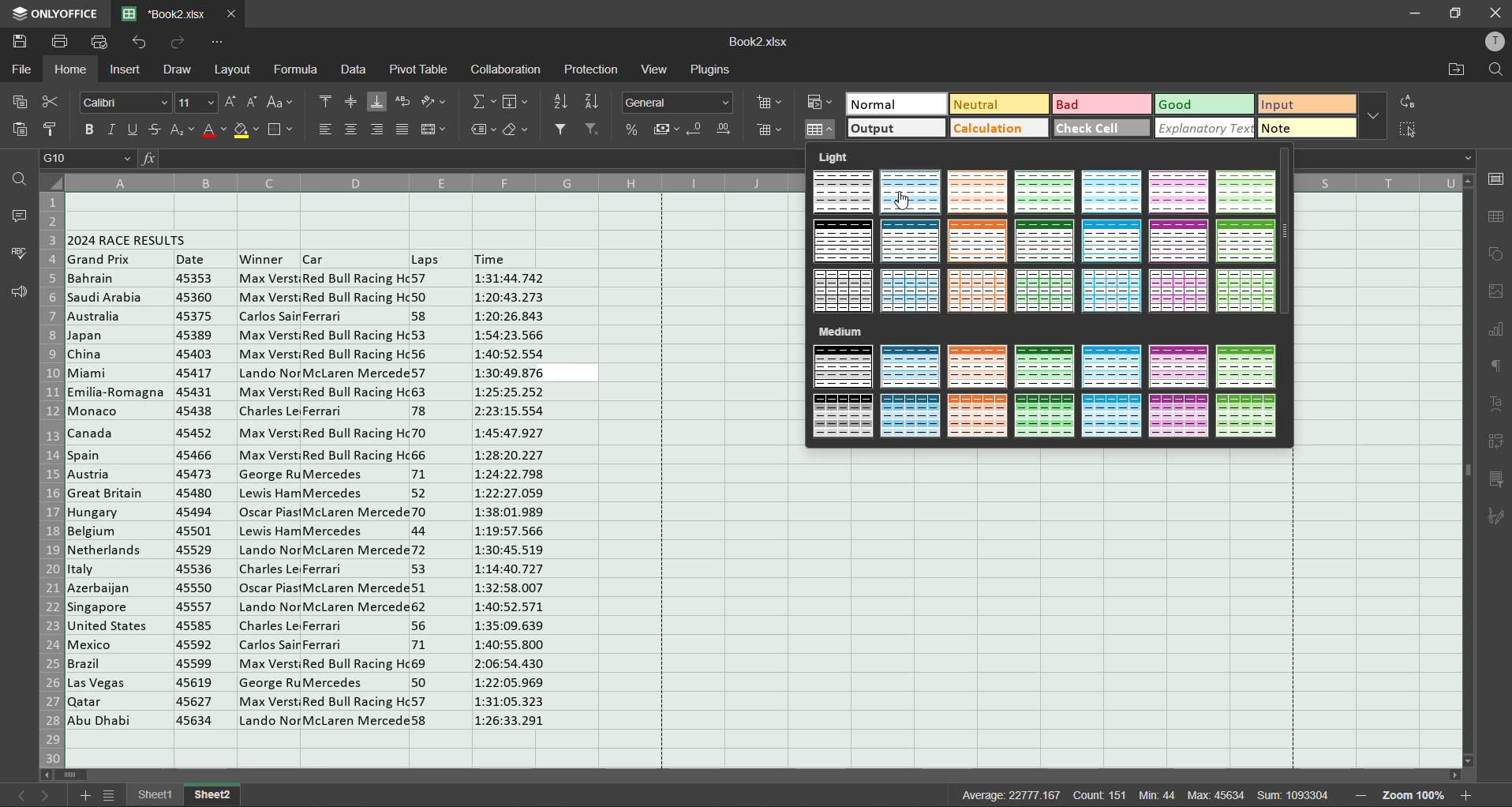  What do you see at coordinates (131, 240) in the screenshot?
I see `2024 race results` at bounding box center [131, 240].